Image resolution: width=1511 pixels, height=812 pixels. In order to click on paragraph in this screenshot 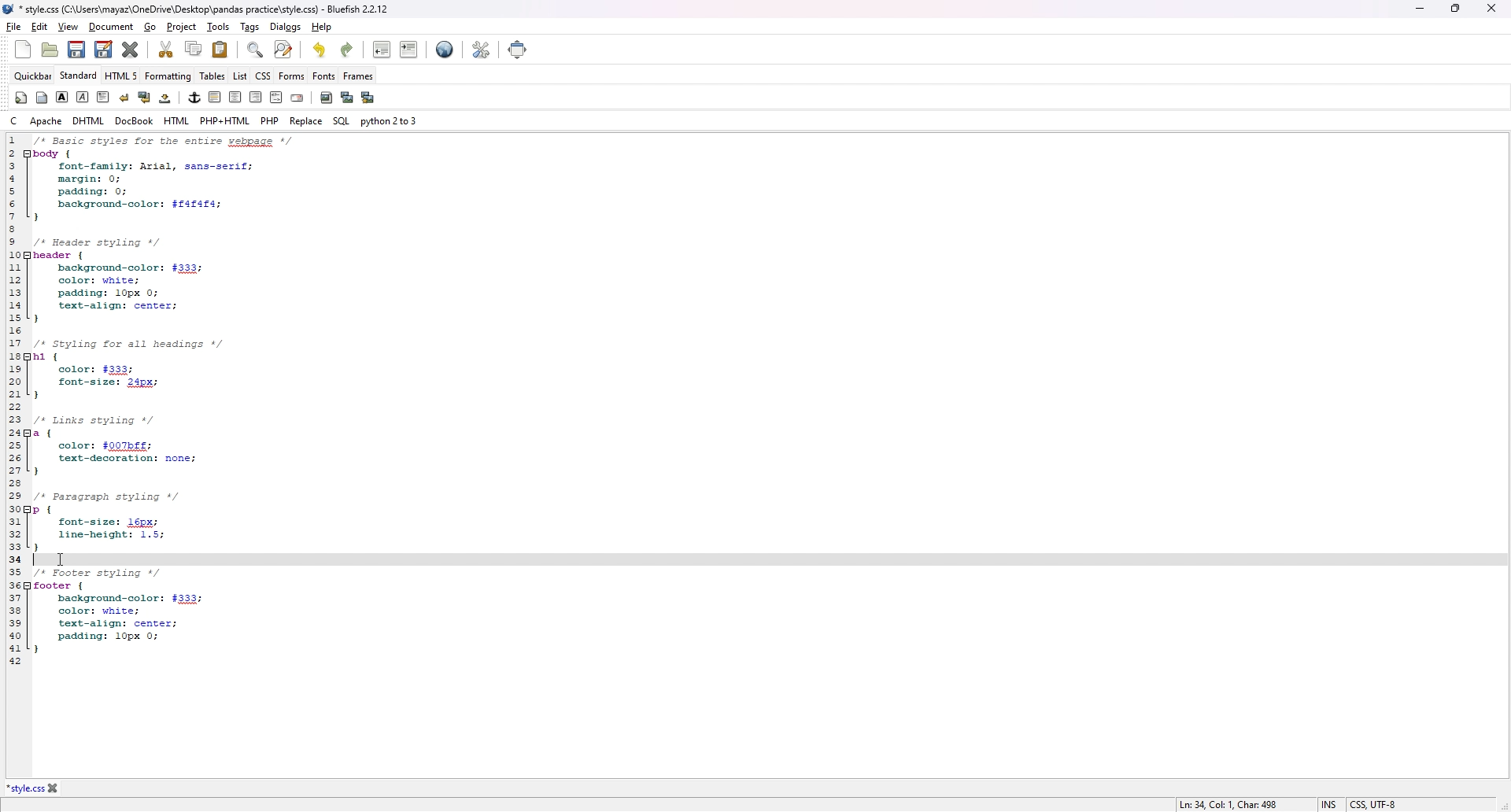, I will do `click(104, 98)`.